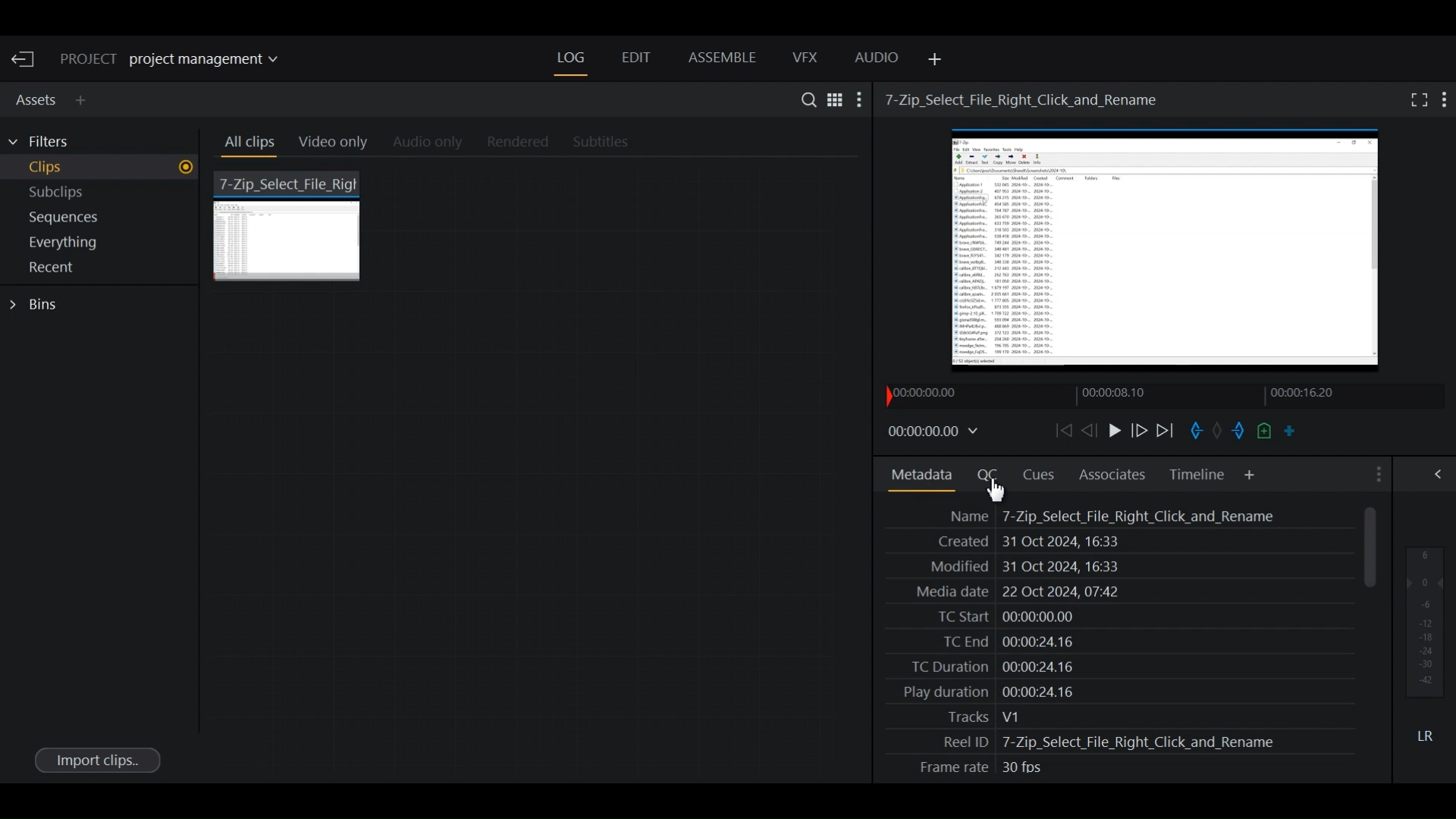 This screenshot has height=819, width=1456. What do you see at coordinates (38, 305) in the screenshot?
I see `Bins` at bounding box center [38, 305].